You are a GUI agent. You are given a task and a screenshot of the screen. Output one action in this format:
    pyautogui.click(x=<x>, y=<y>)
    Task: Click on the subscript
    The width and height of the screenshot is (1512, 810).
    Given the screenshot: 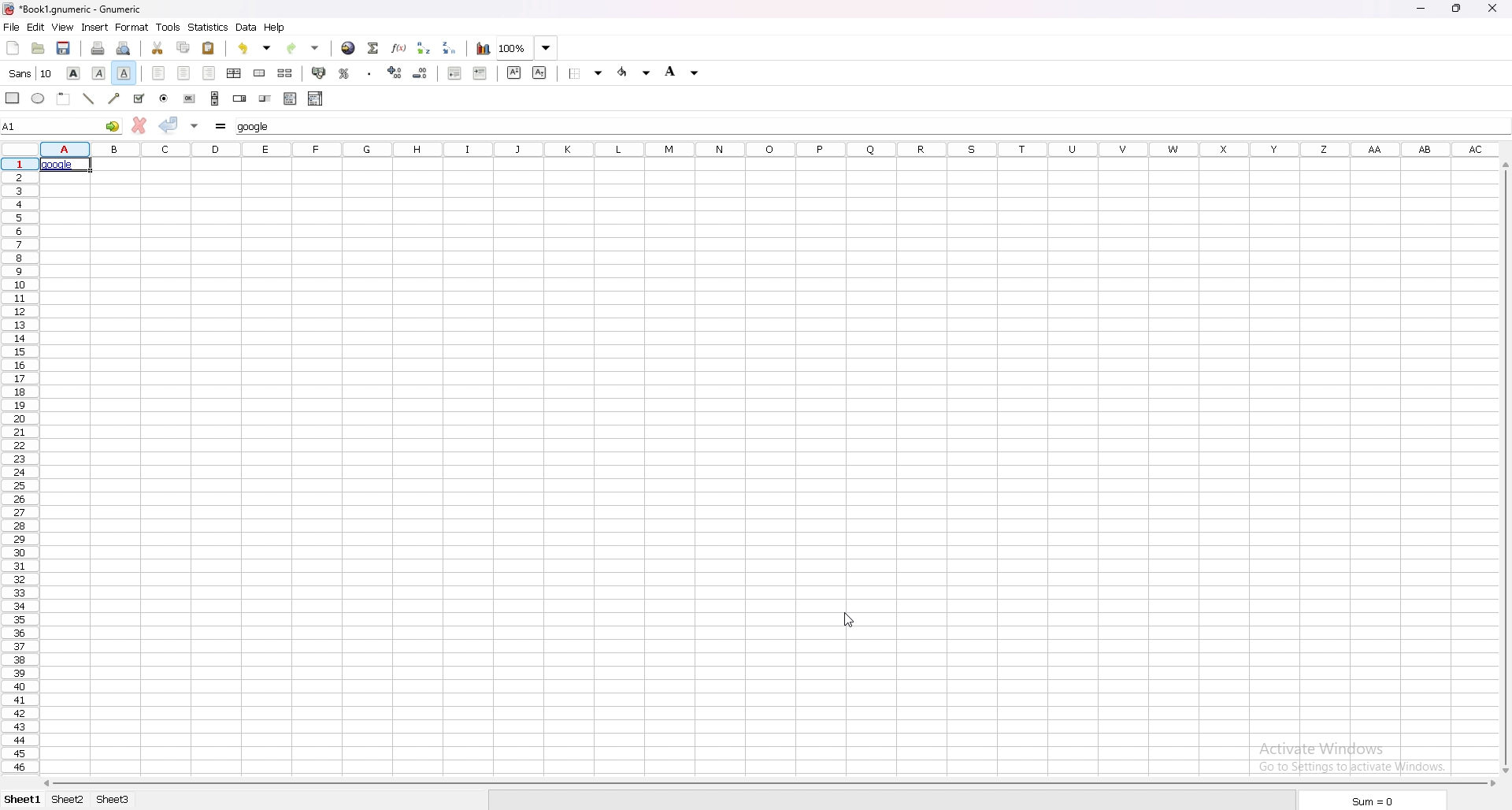 What is the action you would take?
    pyautogui.click(x=541, y=72)
    